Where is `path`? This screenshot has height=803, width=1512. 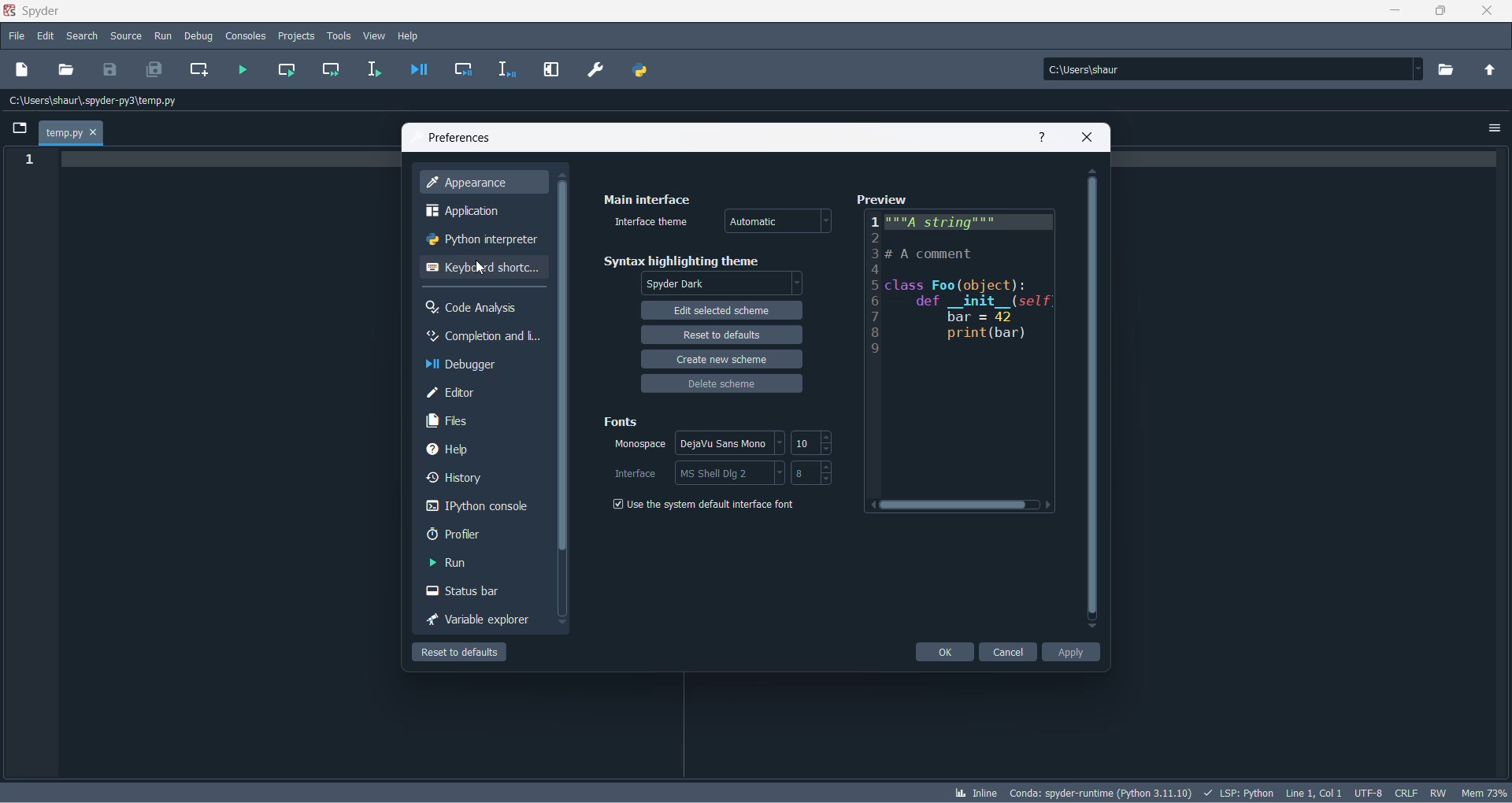
path is located at coordinates (1226, 70).